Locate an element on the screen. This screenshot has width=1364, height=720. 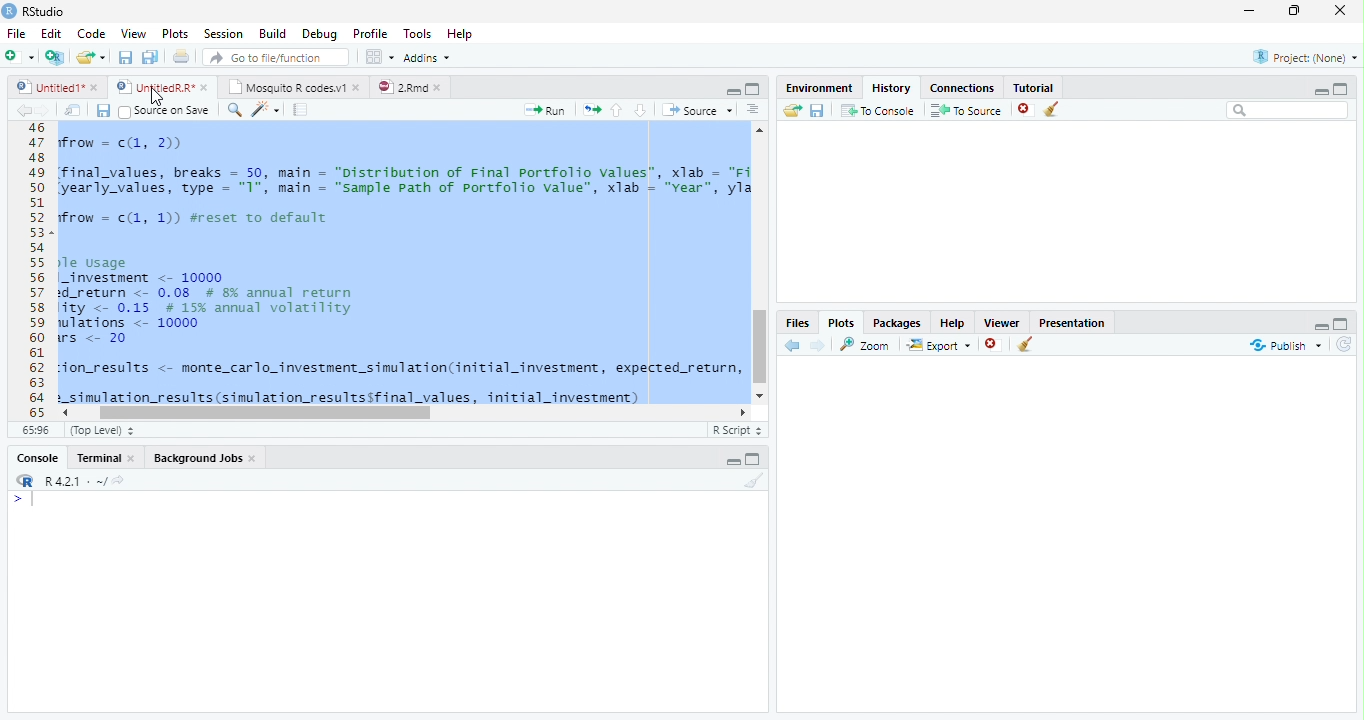
Save all open files is located at coordinates (149, 57).